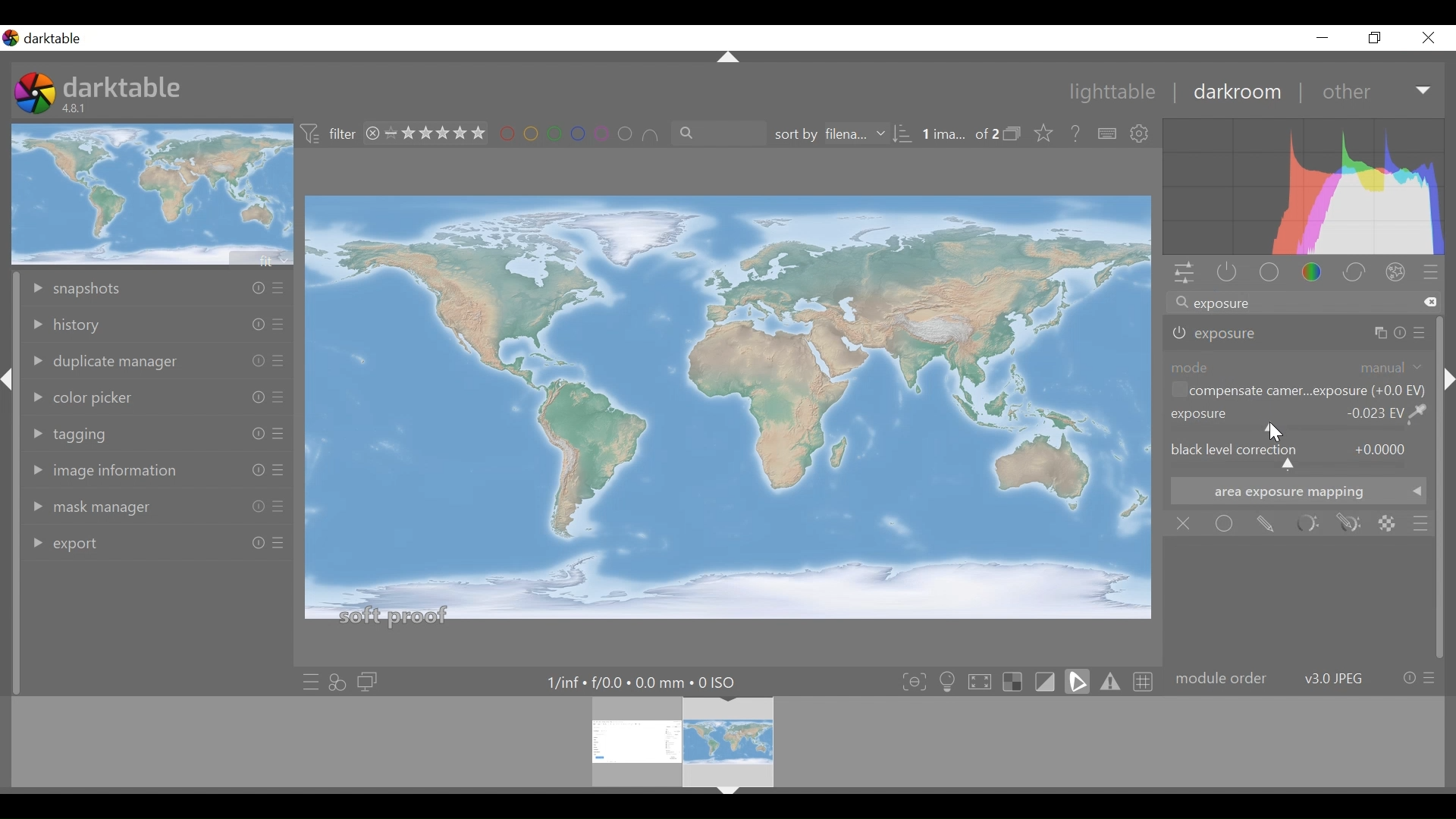 This screenshot has height=819, width=1456. Describe the element at coordinates (1016, 135) in the screenshot. I see `collapse/expand grouped images` at that location.